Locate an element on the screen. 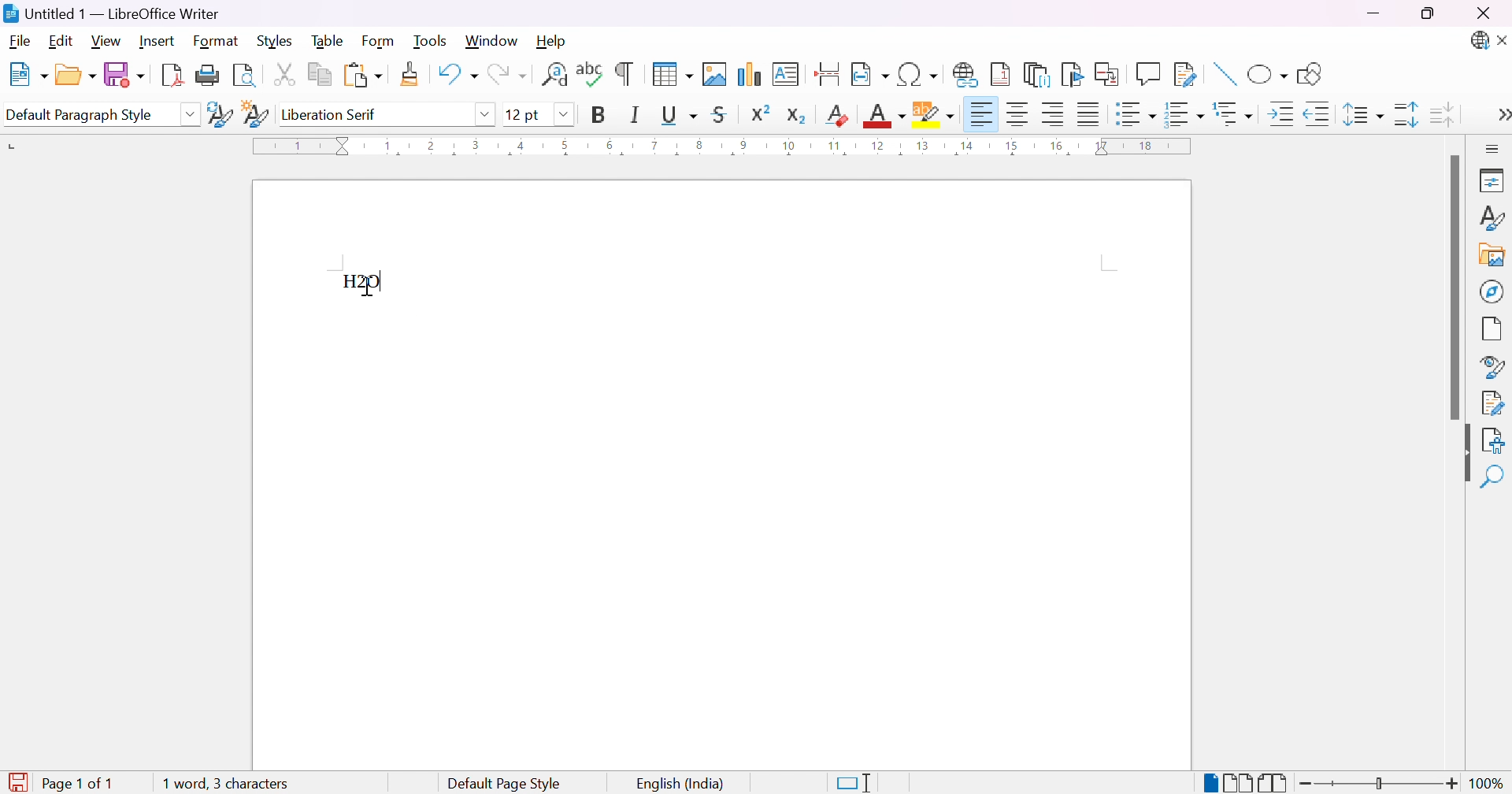 The height and width of the screenshot is (794, 1512). Select outline format is located at coordinates (1236, 114).